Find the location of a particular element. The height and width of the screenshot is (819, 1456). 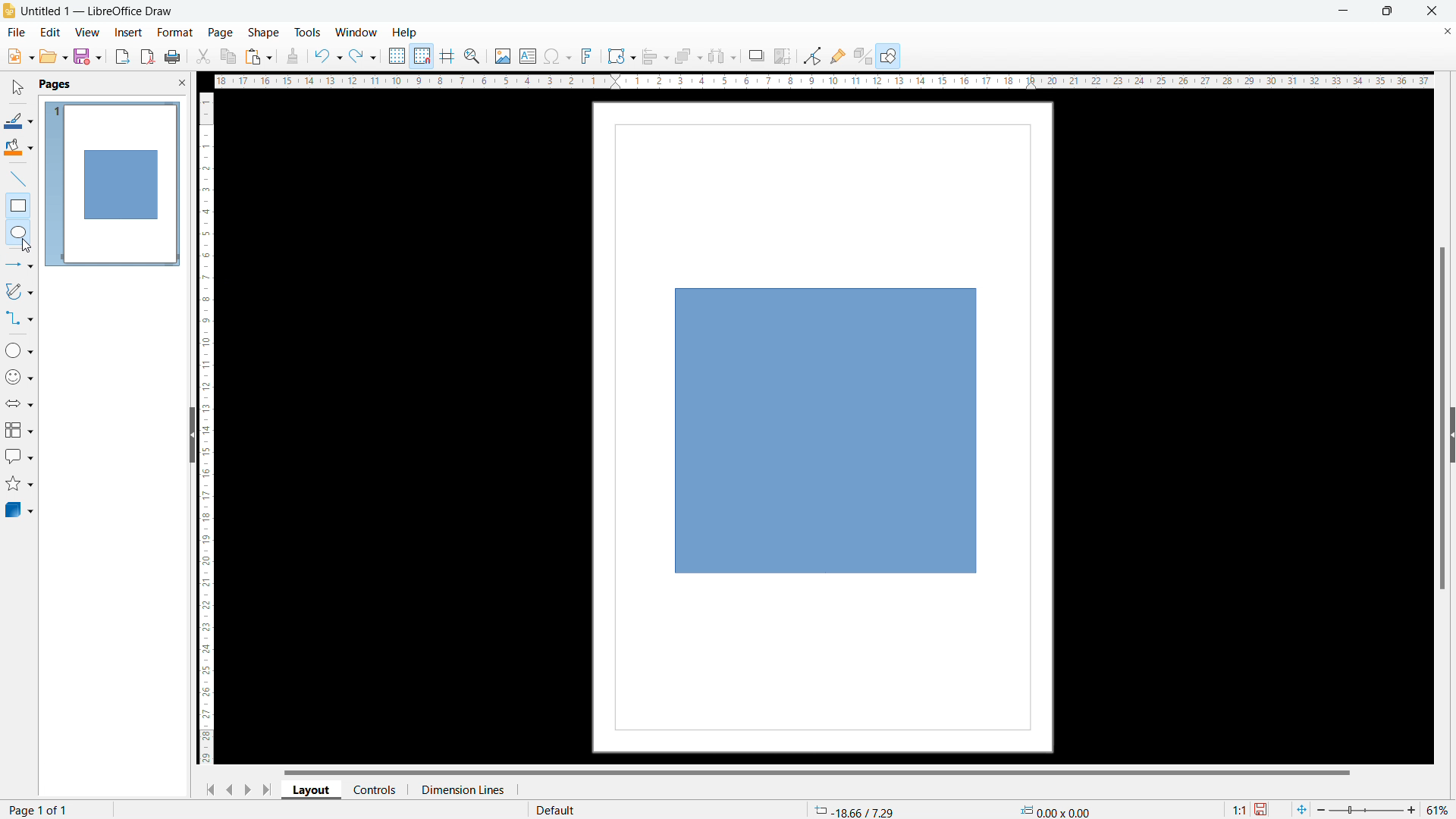

basic shapes is located at coordinates (19, 350).